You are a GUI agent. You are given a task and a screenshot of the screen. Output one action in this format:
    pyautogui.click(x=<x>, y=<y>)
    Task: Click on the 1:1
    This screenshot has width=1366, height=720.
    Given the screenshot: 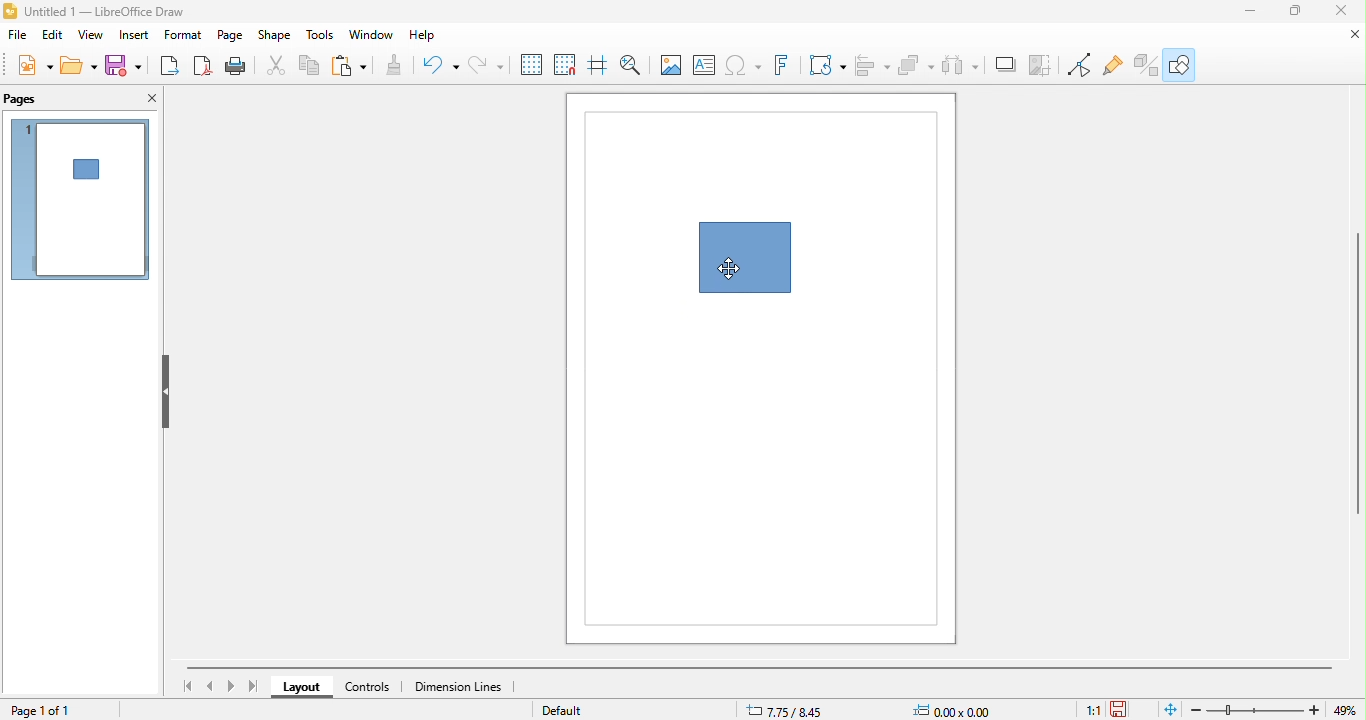 What is the action you would take?
    pyautogui.click(x=1089, y=710)
    